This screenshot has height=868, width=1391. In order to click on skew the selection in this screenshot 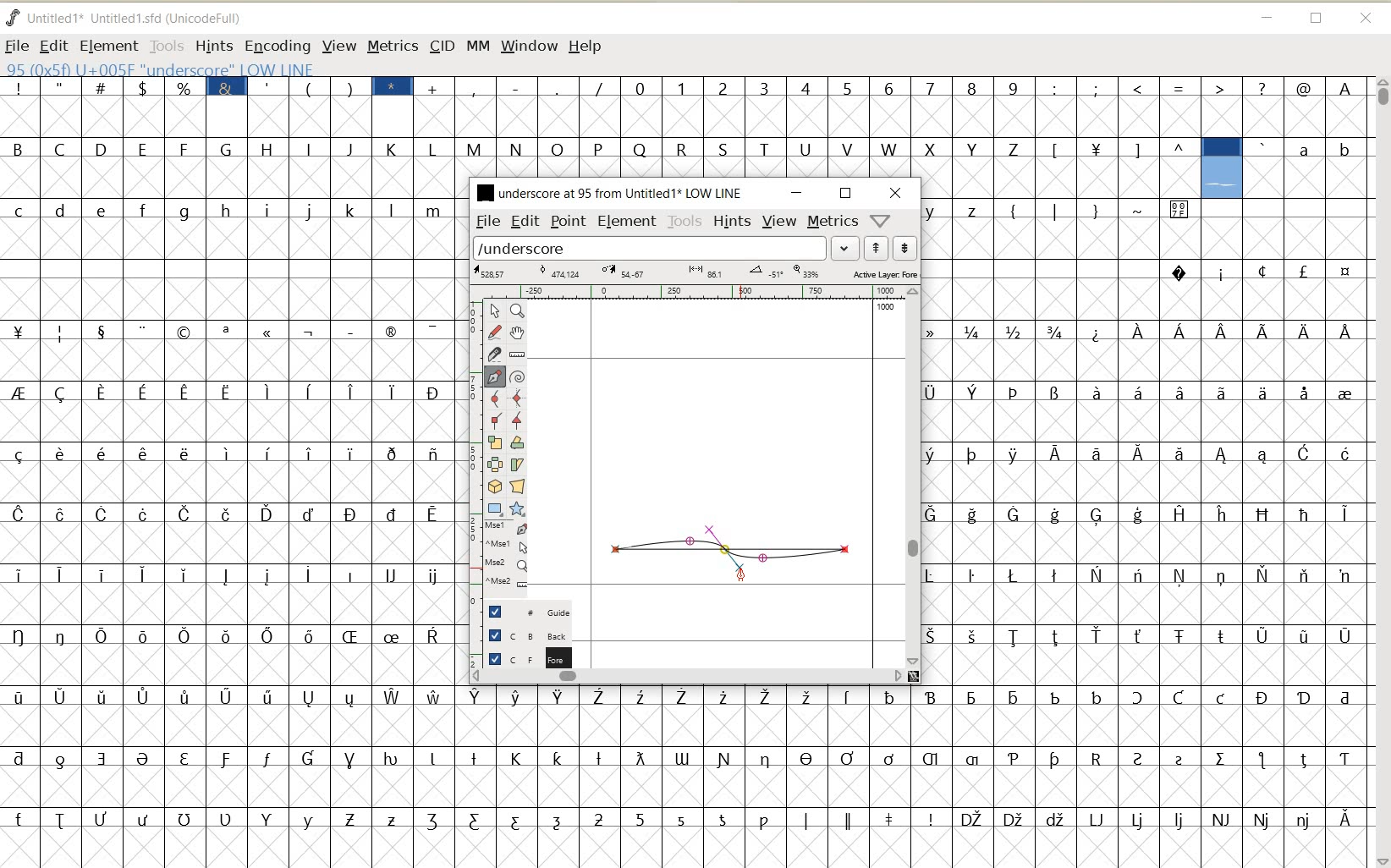, I will do `click(516, 465)`.